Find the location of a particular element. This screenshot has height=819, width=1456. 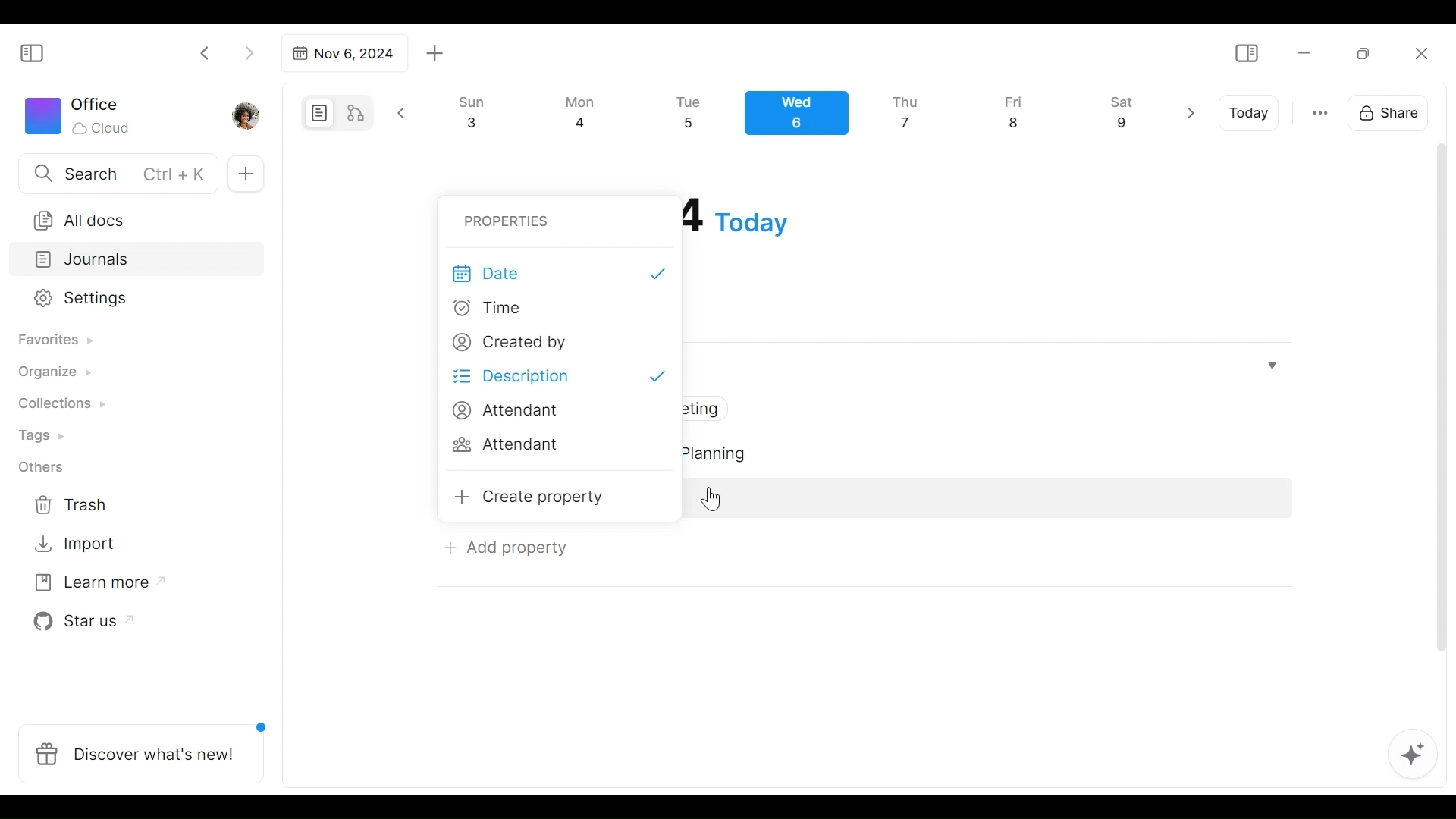

Show/Hide Sidebar is located at coordinates (39, 52).